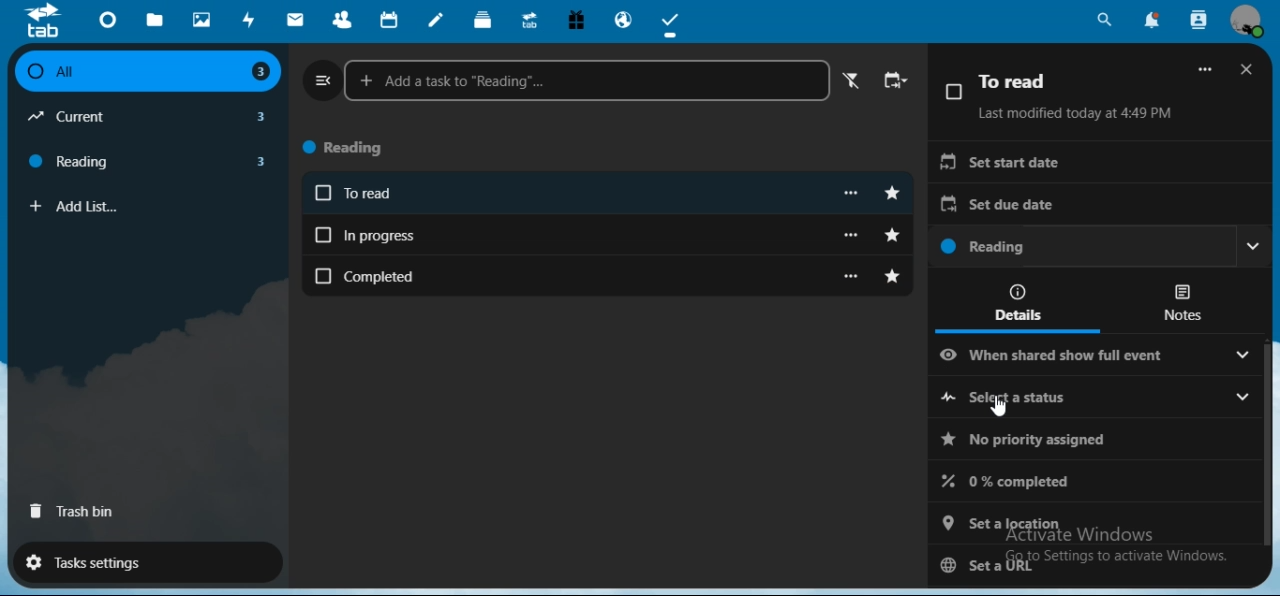  Describe the element at coordinates (32, 72) in the screenshot. I see `Checkbox` at that location.